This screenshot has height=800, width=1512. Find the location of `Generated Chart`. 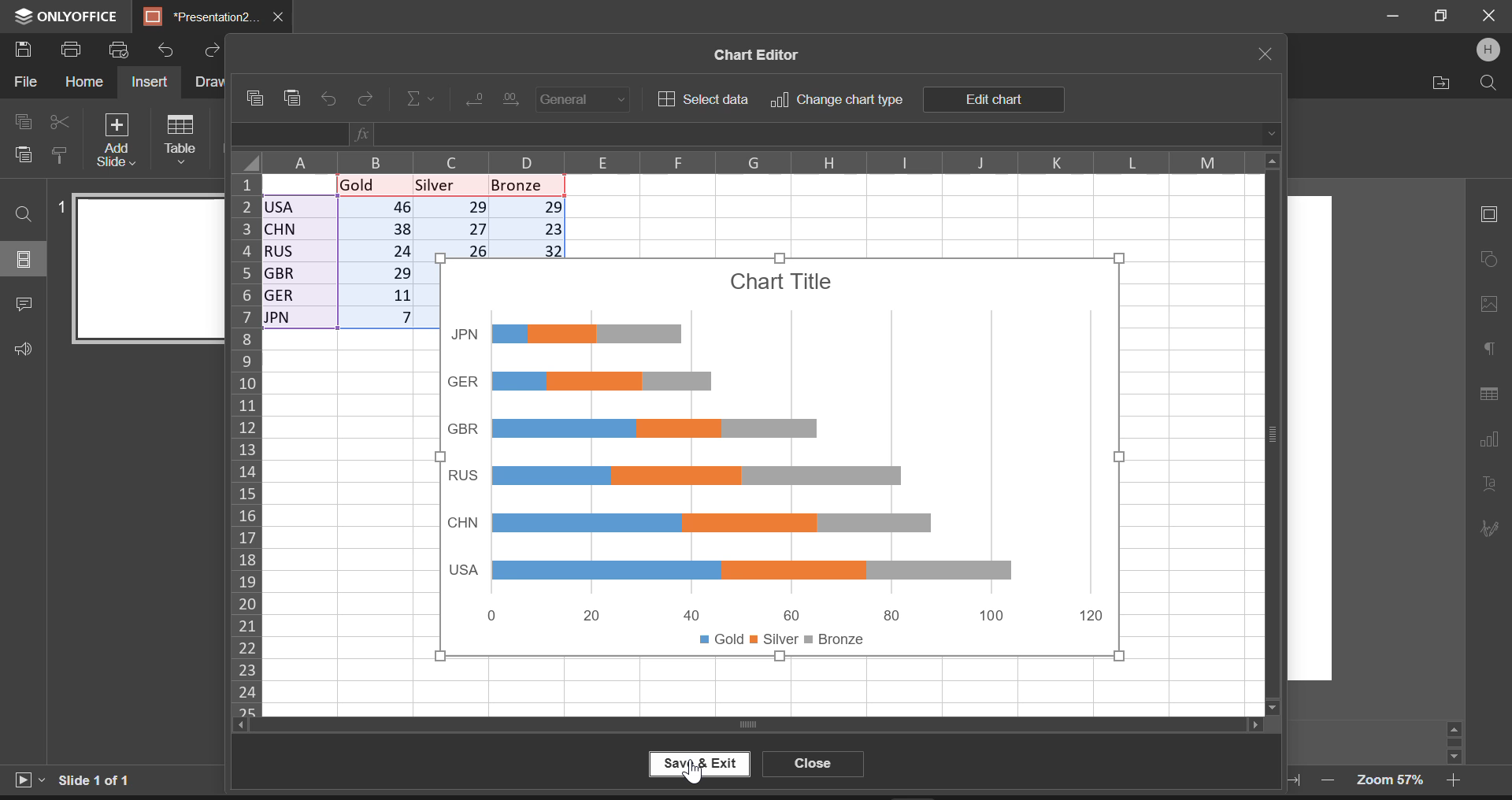

Generated Chart is located at coordinates (778, 460).